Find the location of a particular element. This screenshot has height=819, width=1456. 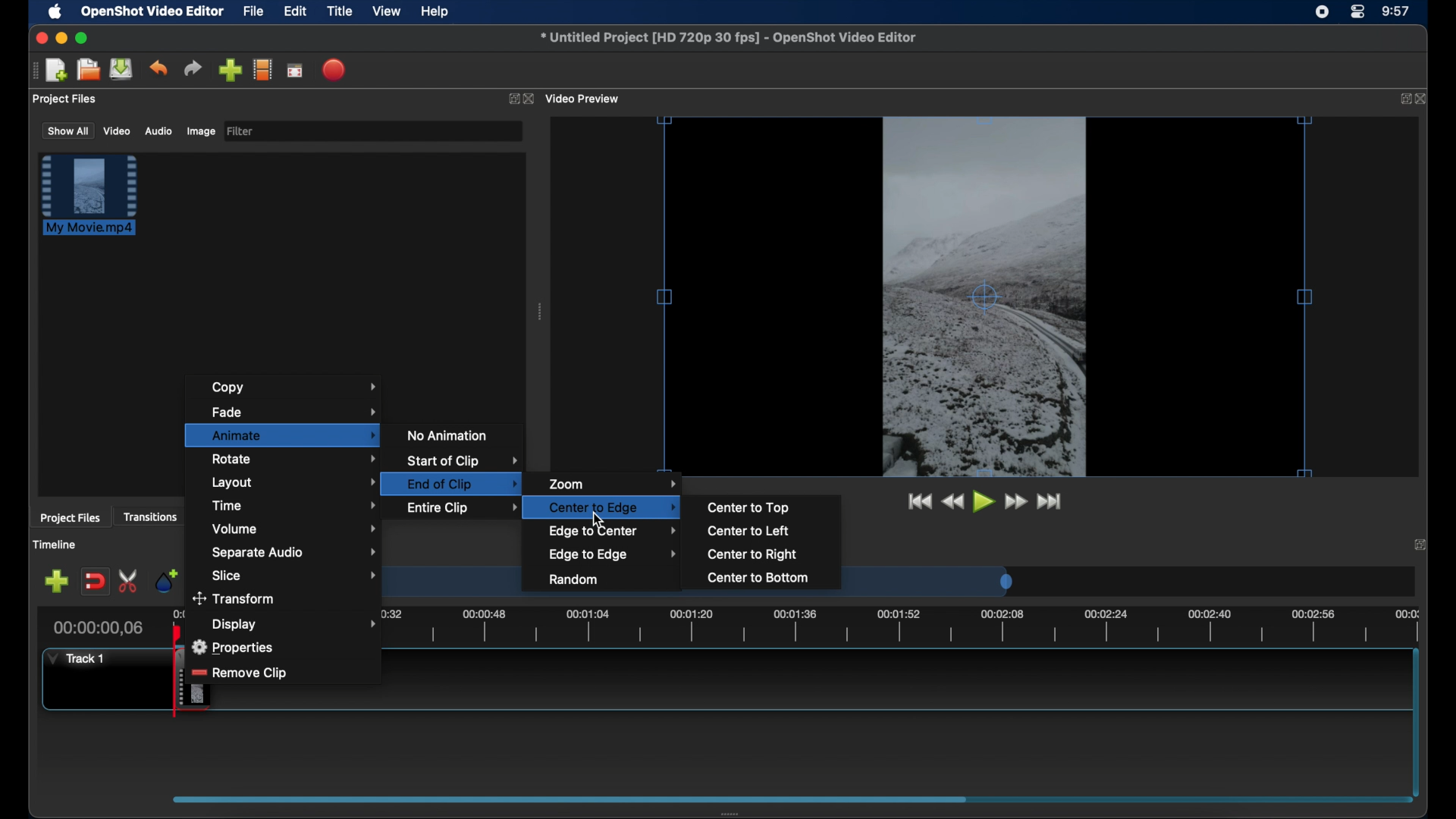

copy menu is located at coordinates (294, 387).